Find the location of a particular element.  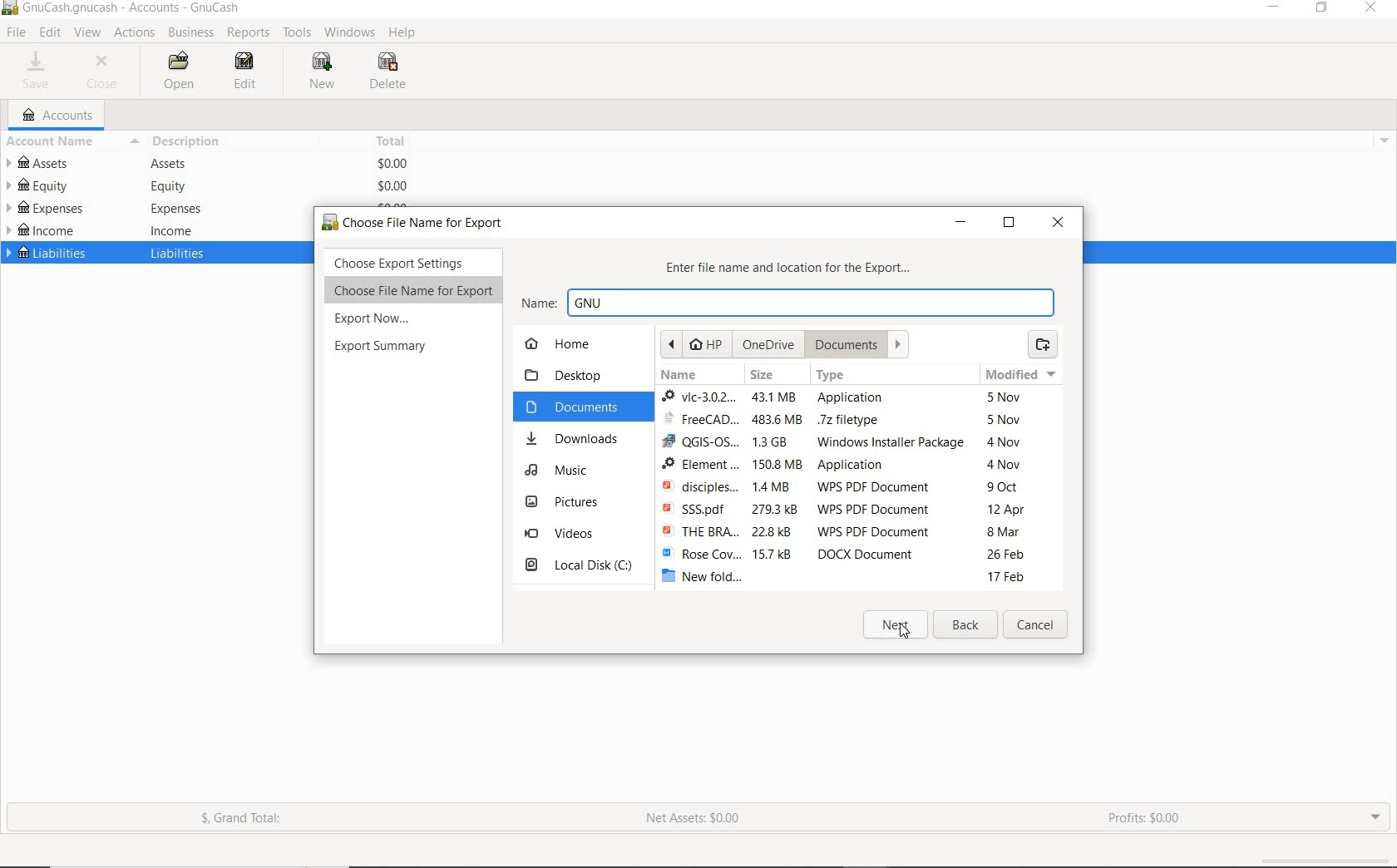

choose file name for export is located at coordinates (420, 220).